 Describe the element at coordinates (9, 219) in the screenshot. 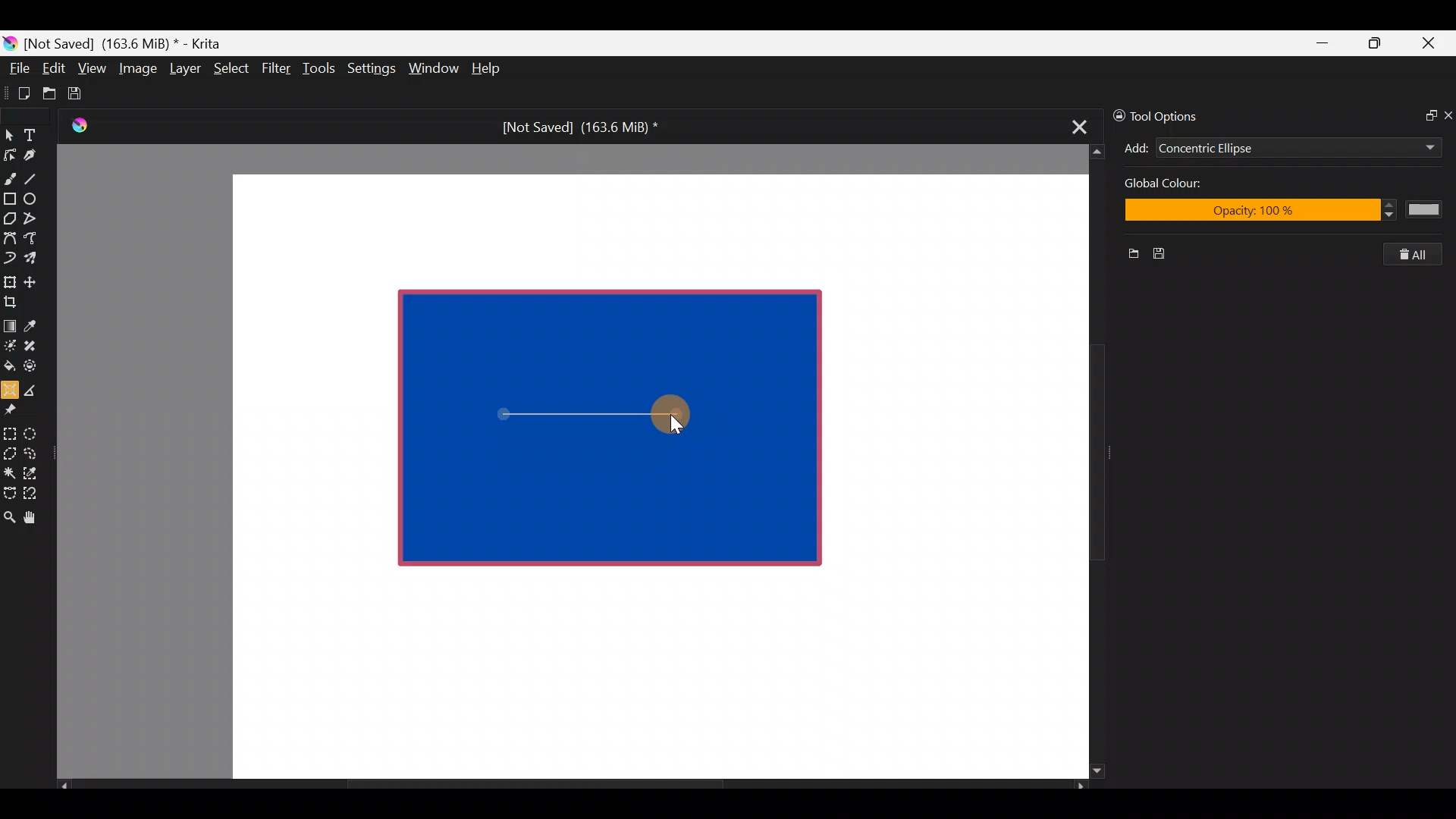

I see `Polygon tool` at that location.